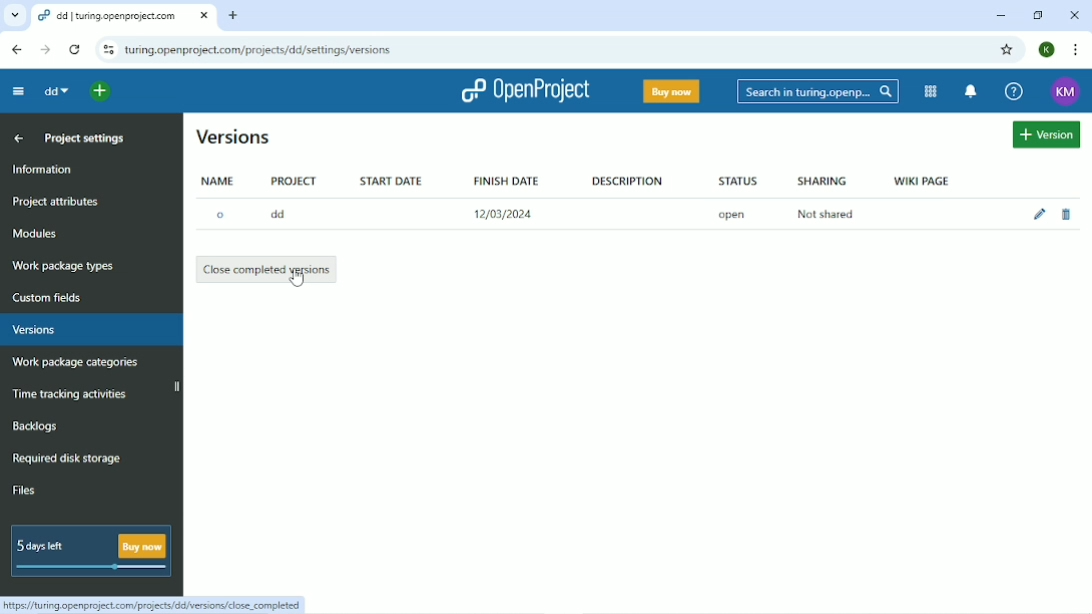 The height and width of the screenshot is (614, 1092). Describe the element at coordinates (1013, 92) in the screenshot. I see `Help` at that location.